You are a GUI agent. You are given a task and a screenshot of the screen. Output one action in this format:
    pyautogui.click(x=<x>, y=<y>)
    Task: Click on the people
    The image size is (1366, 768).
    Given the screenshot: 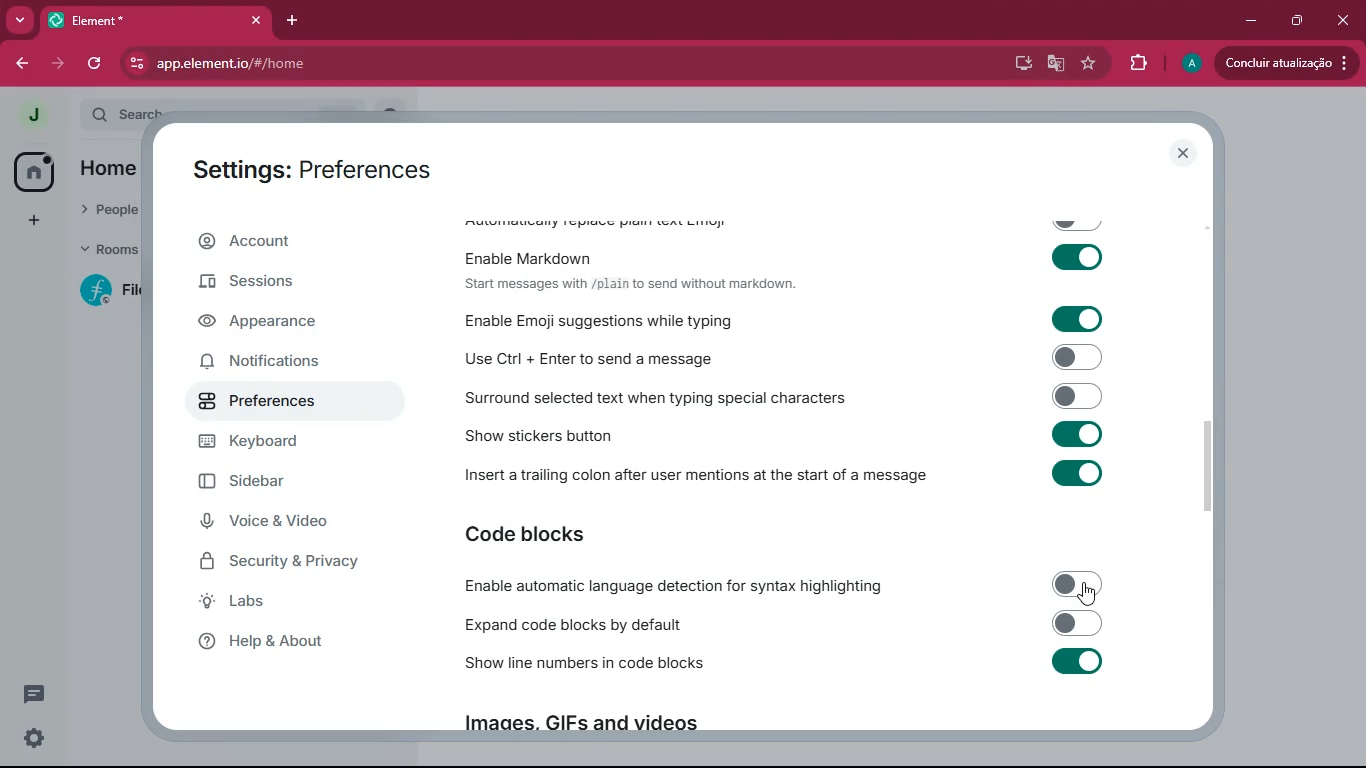 What is the action you would take?
    pyautogui.click(x=110, y=207)
    